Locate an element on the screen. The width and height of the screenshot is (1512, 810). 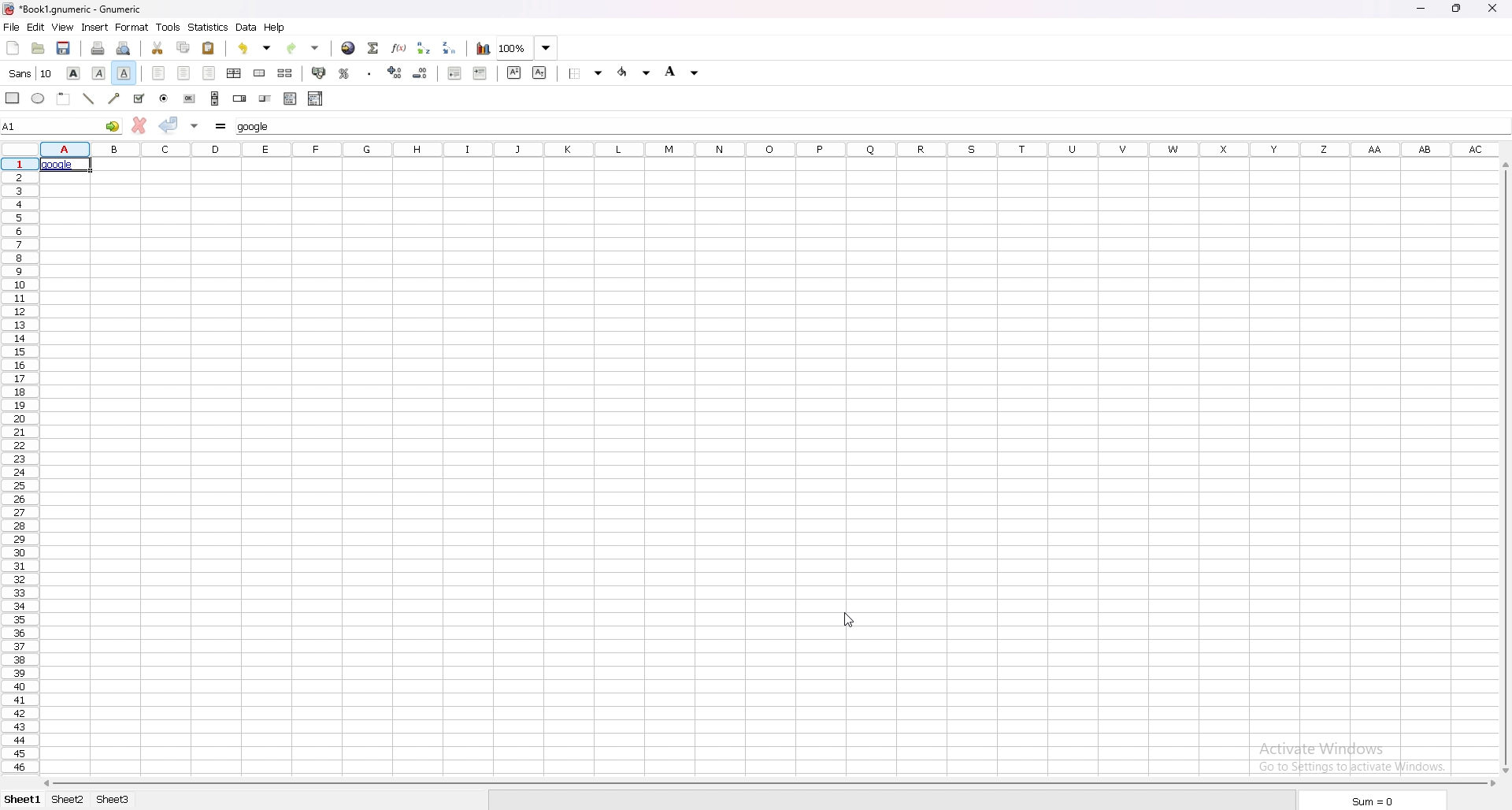
thousands separator is located at coordinates (371, 72).